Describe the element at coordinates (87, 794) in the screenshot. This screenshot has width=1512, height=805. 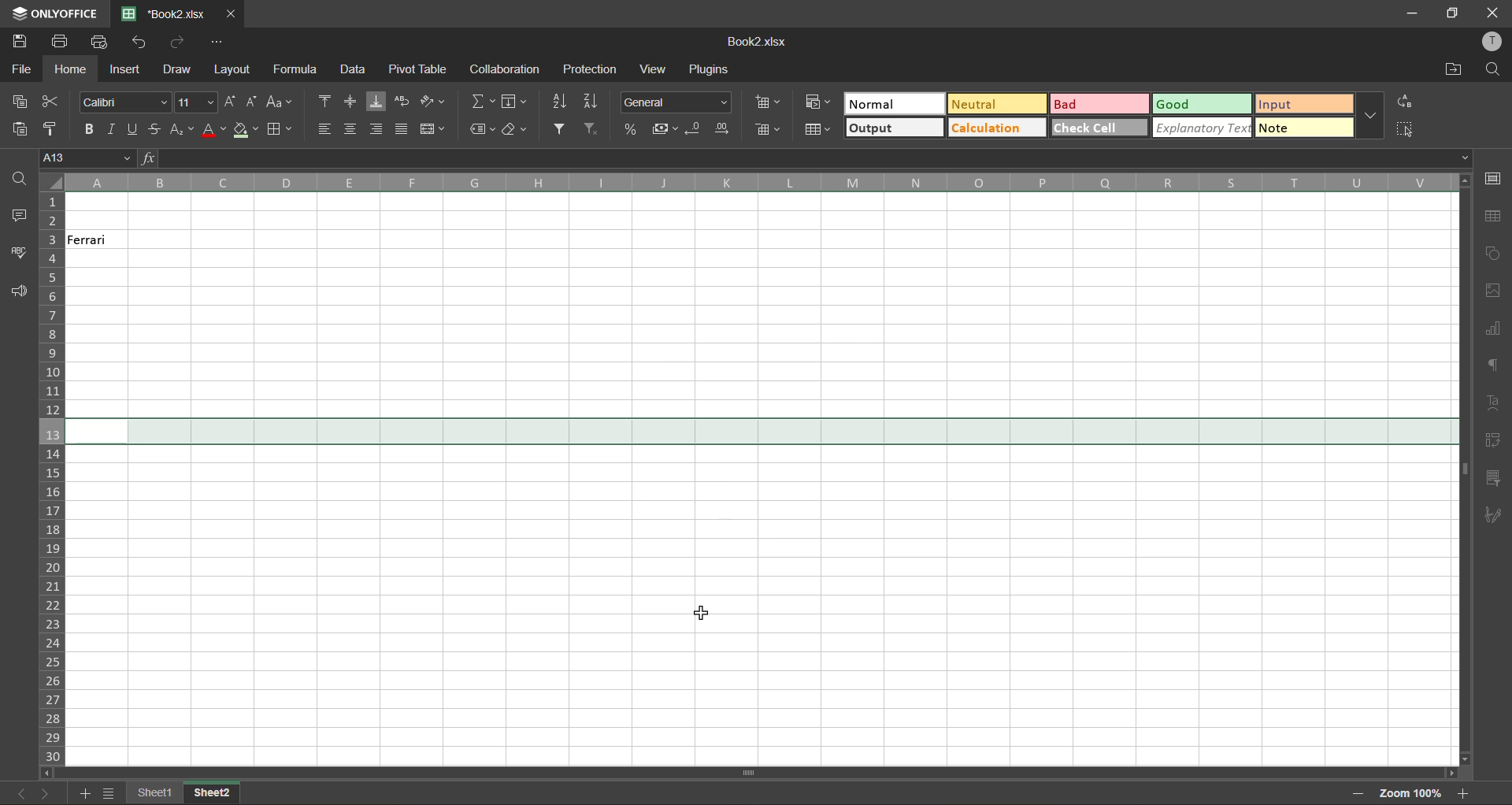
I see `add sheet` at that location.